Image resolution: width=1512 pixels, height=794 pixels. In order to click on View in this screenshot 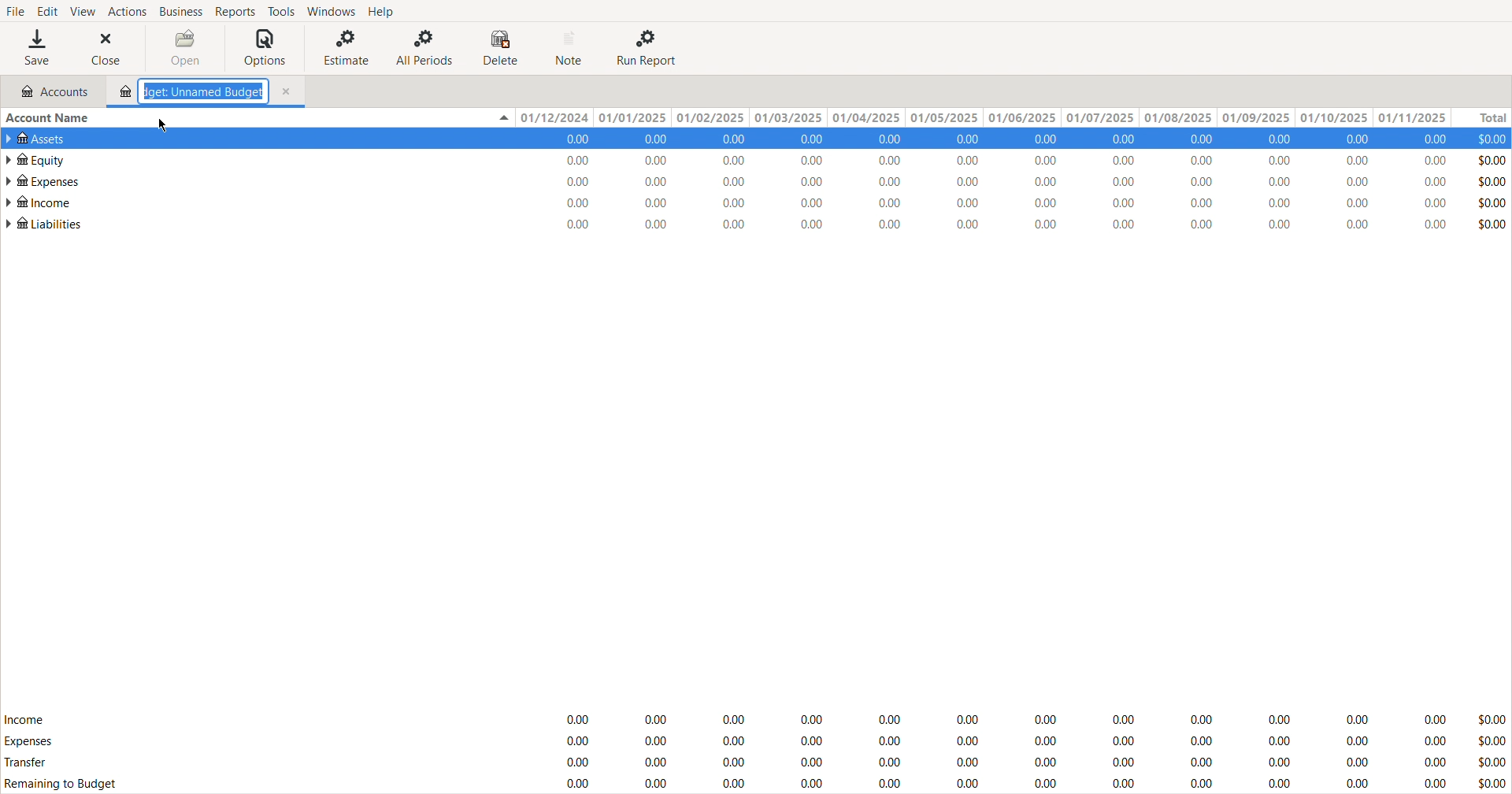, I will do `click(81, 10)`.